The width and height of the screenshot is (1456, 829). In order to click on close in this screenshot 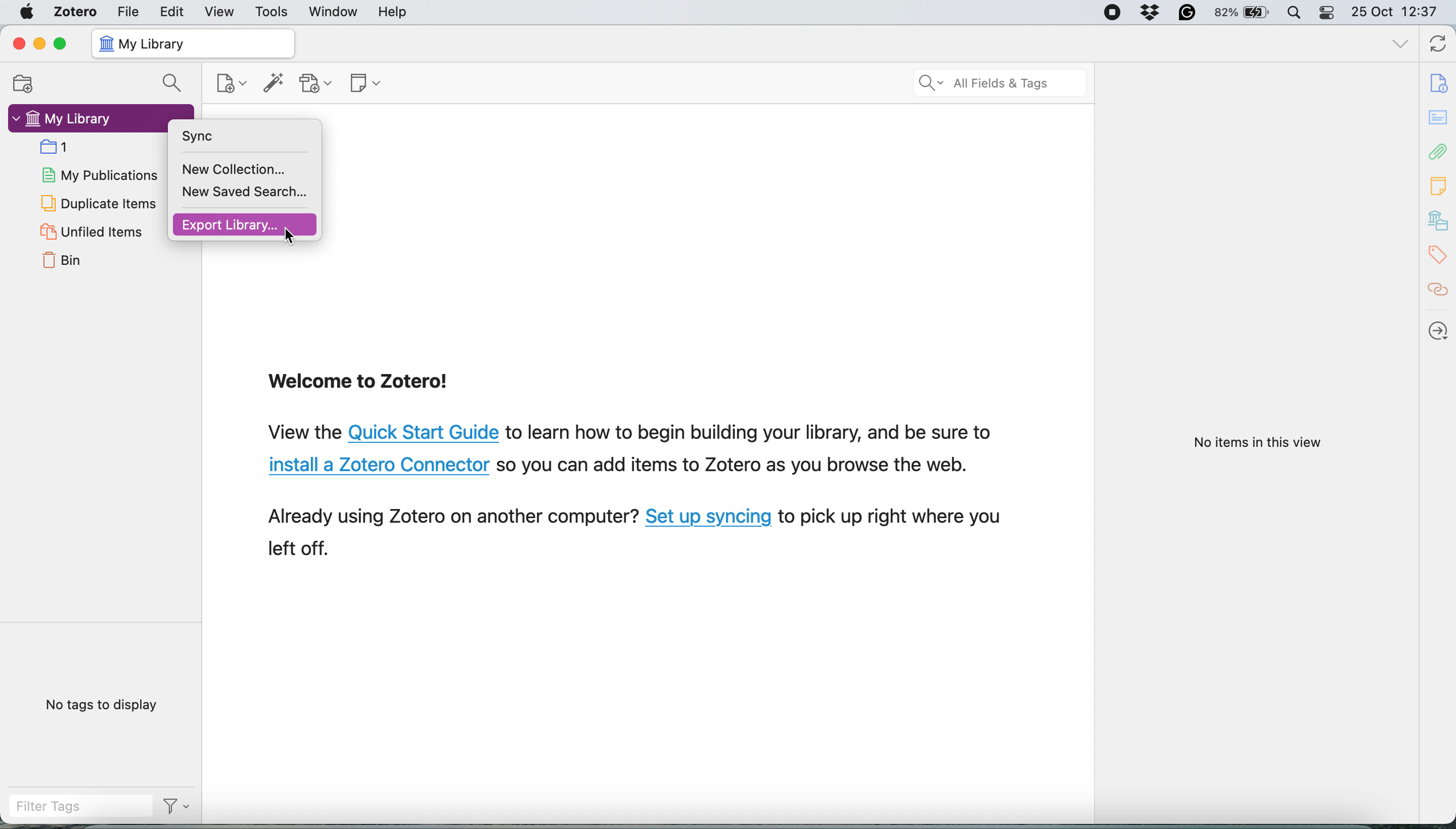, I will do `click(17, 44)`.